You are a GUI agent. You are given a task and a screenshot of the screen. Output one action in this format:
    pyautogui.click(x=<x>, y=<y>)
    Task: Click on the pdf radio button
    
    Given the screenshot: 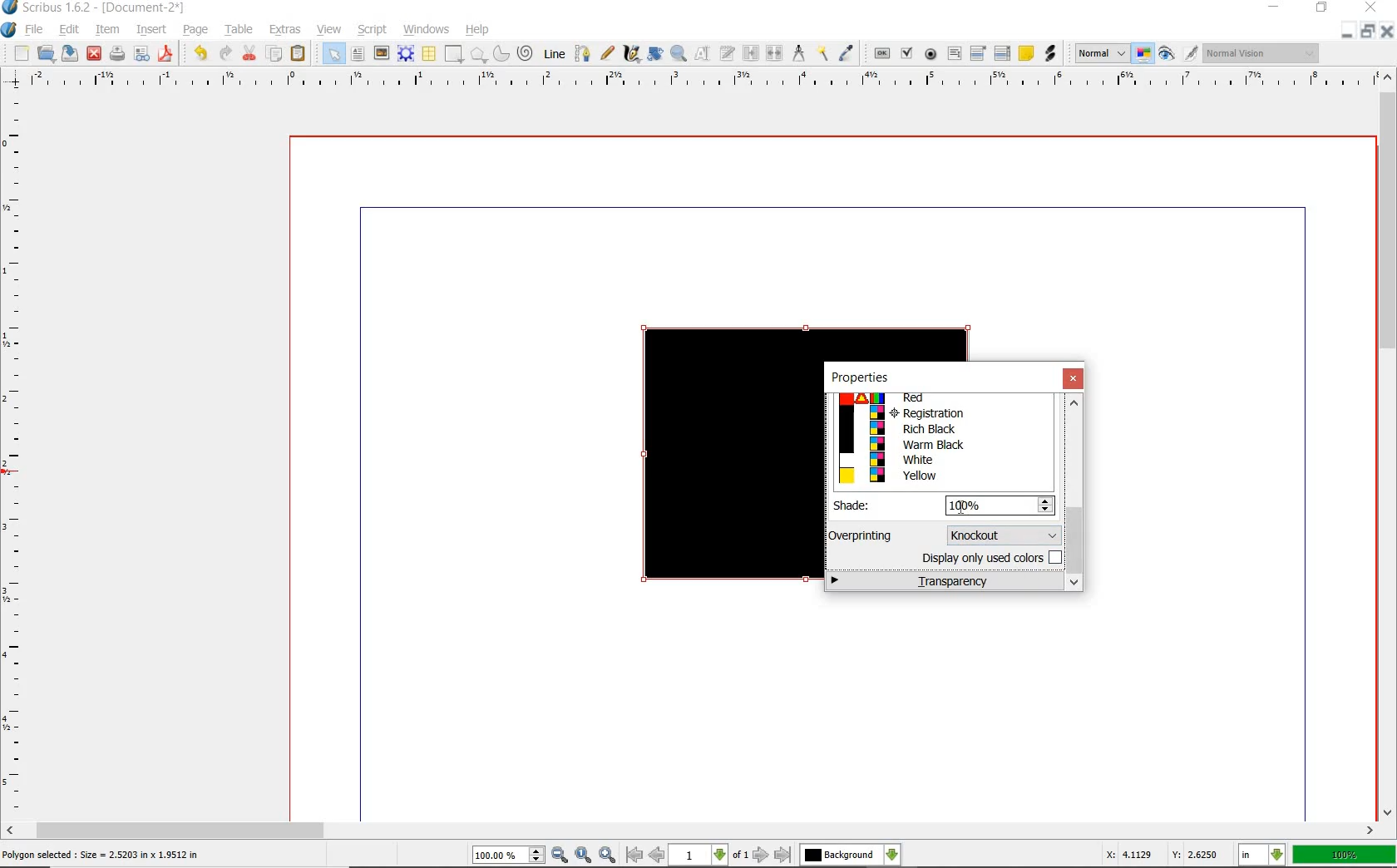 What is the action you would take?
    pyautogui.click(x=927, y=54)
    